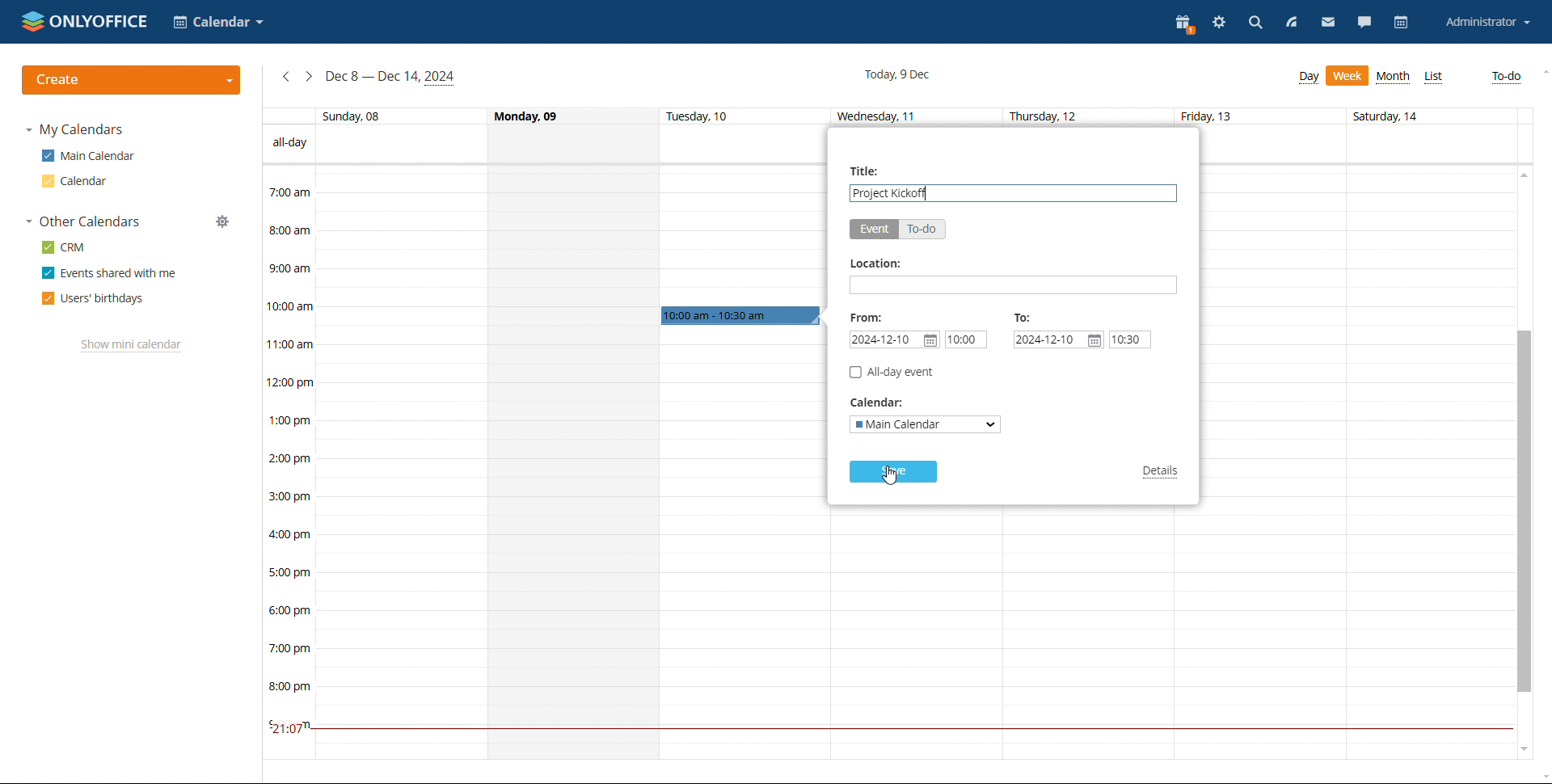 The width and height of the screenshot is (1552, 784). What do you see at coordinates (894, 339) in the screenshot?
I see `start date` at bounding box center [894, 339].